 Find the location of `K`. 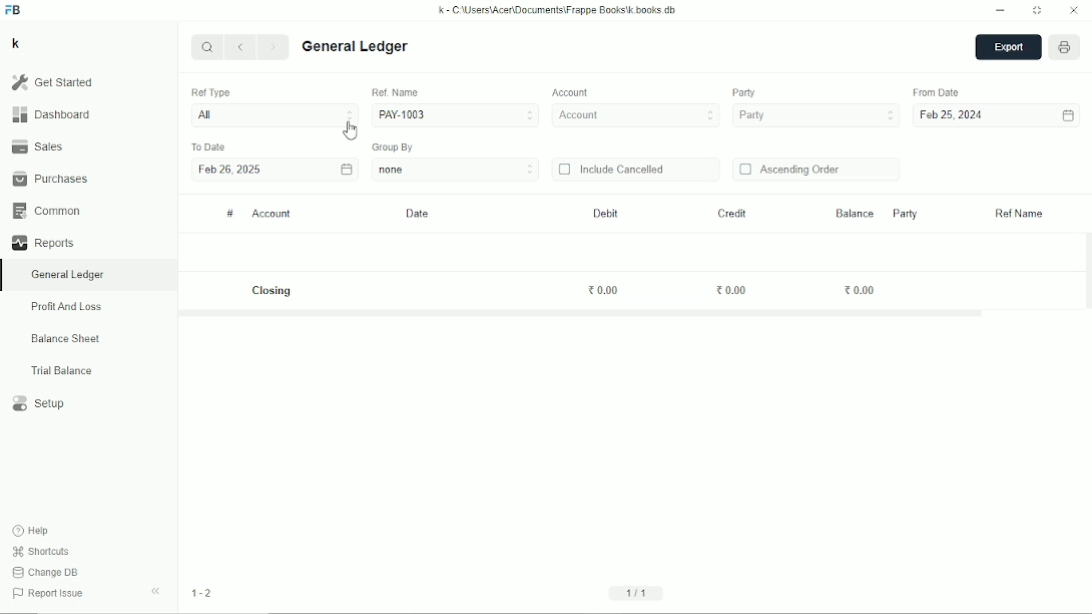

K is located at coordinates (16, 43).